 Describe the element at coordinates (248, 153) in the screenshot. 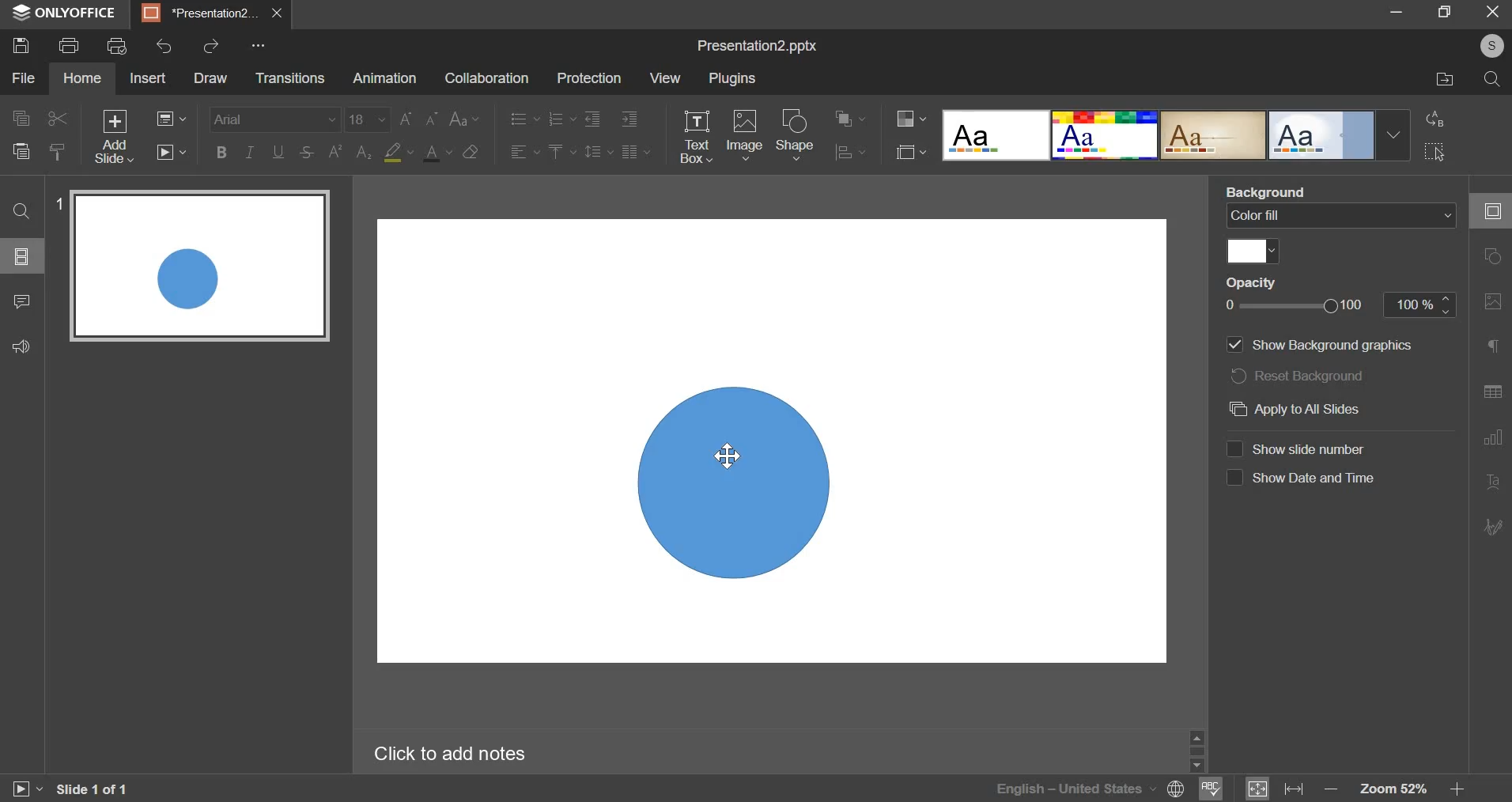

I see `italic` at that location.